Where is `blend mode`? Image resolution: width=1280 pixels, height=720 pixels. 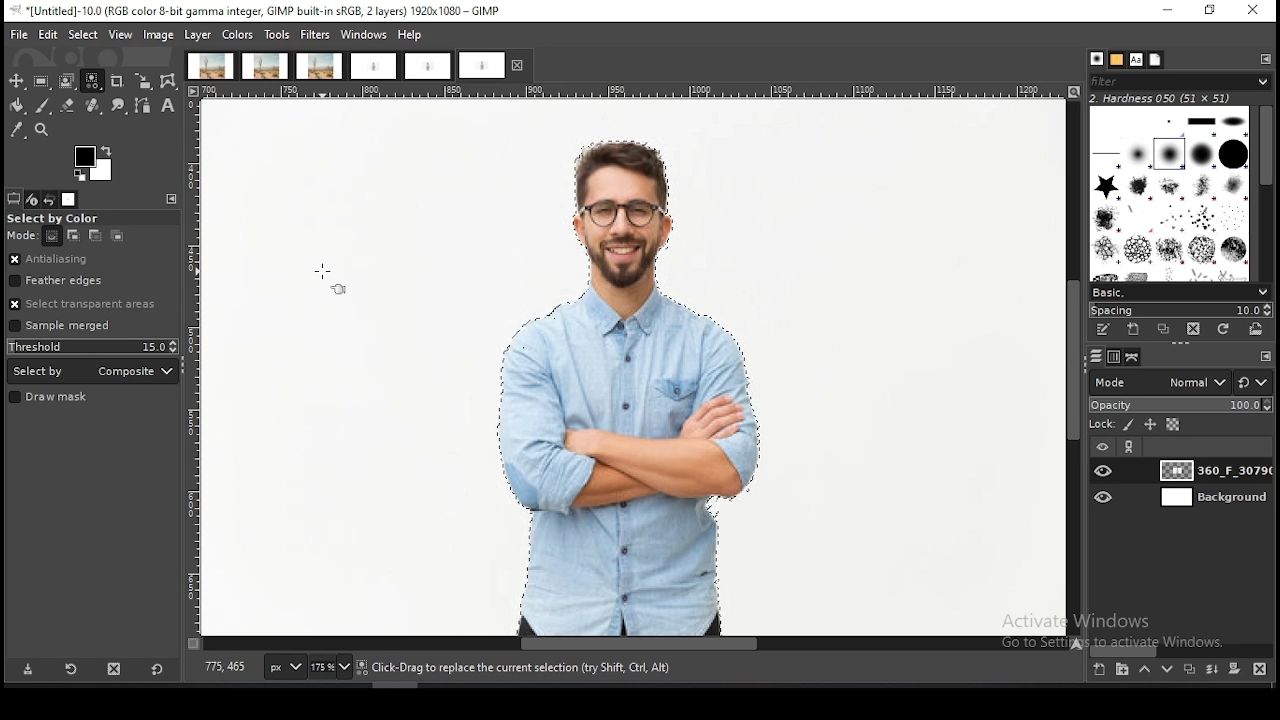
blend mode is located at coordinates (1159, 382).